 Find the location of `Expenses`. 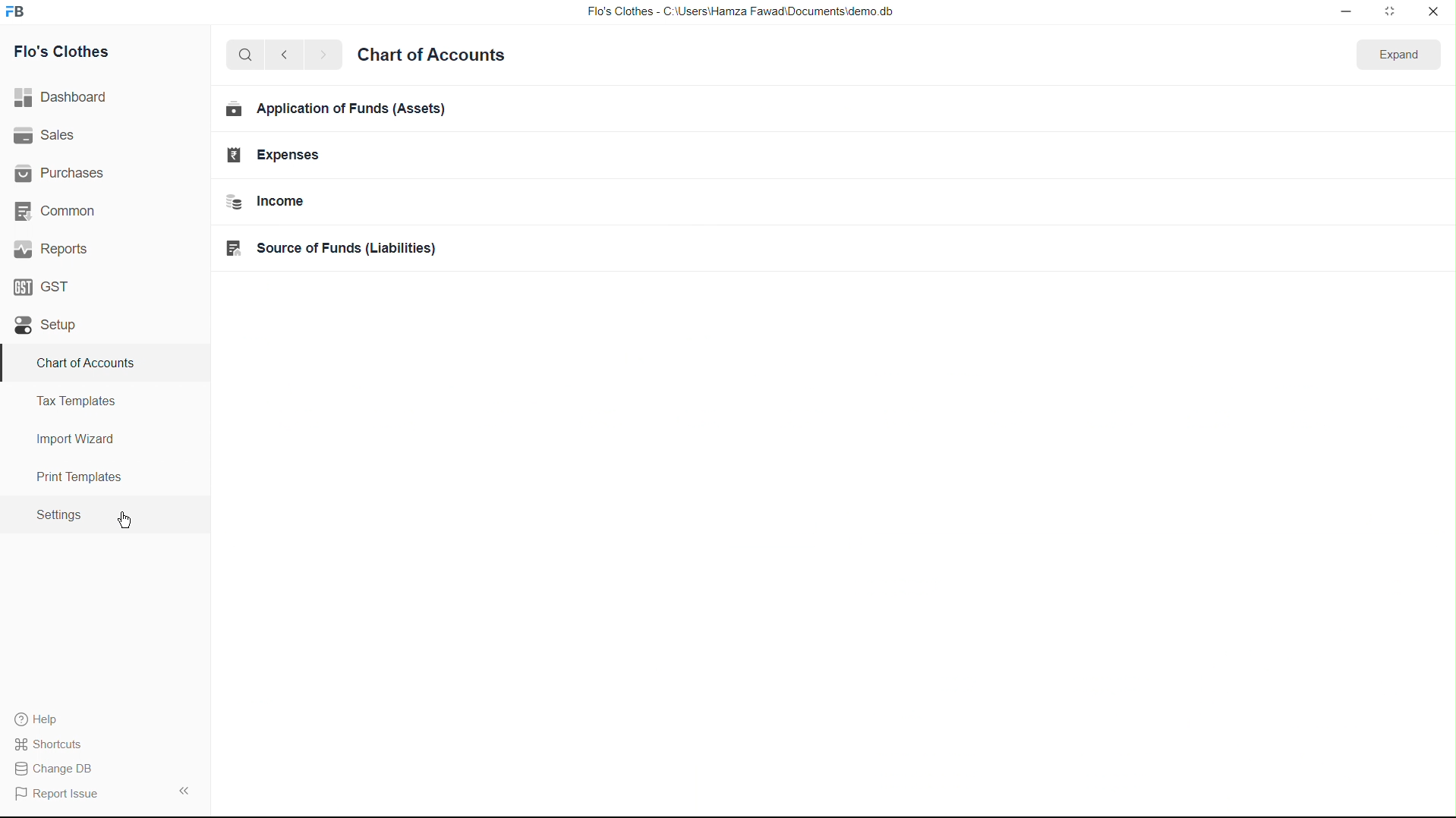

Expenses is located at coordinates (277, 157).